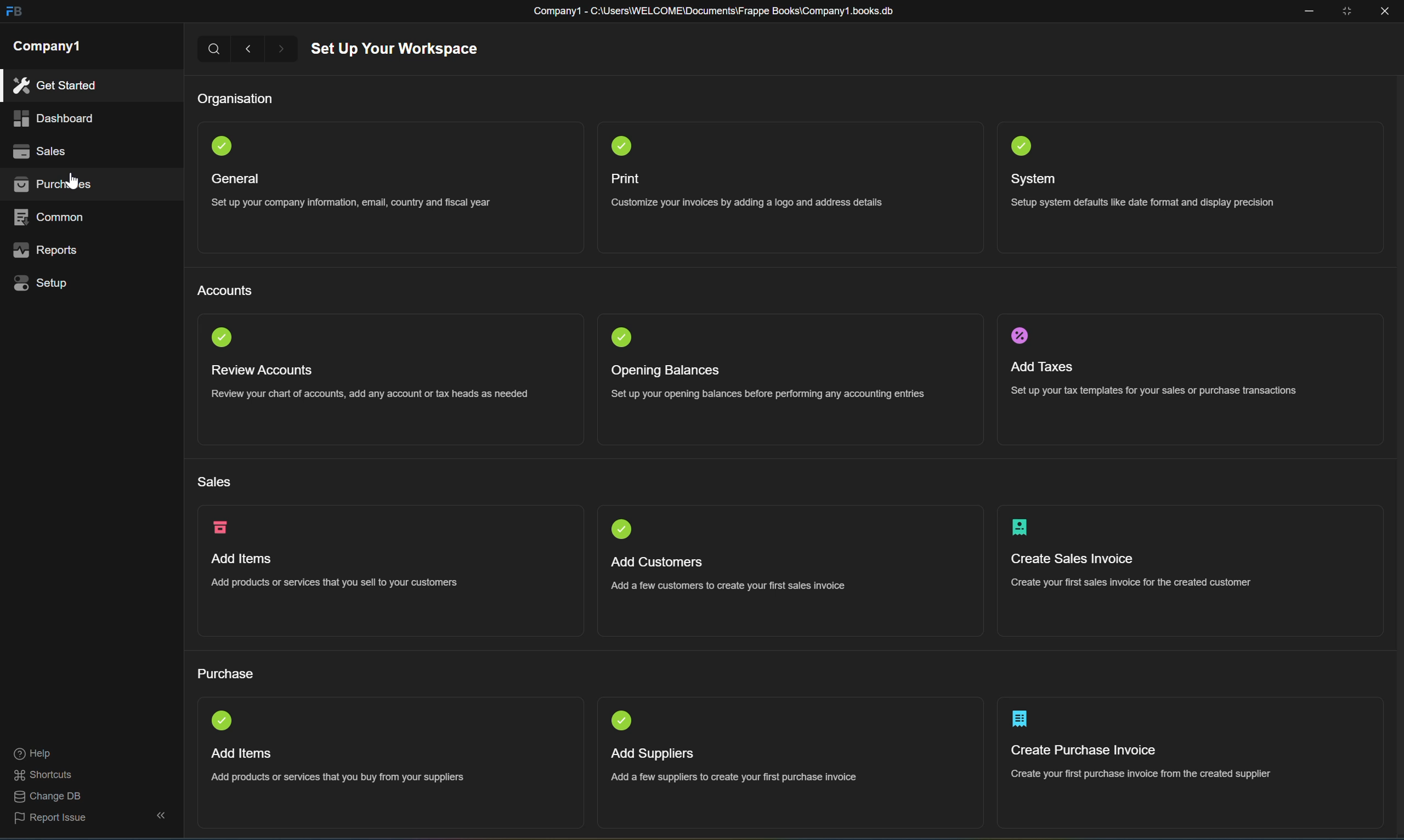 The image size is (1404, 840). I want to click on search bar, so click(215, 49).